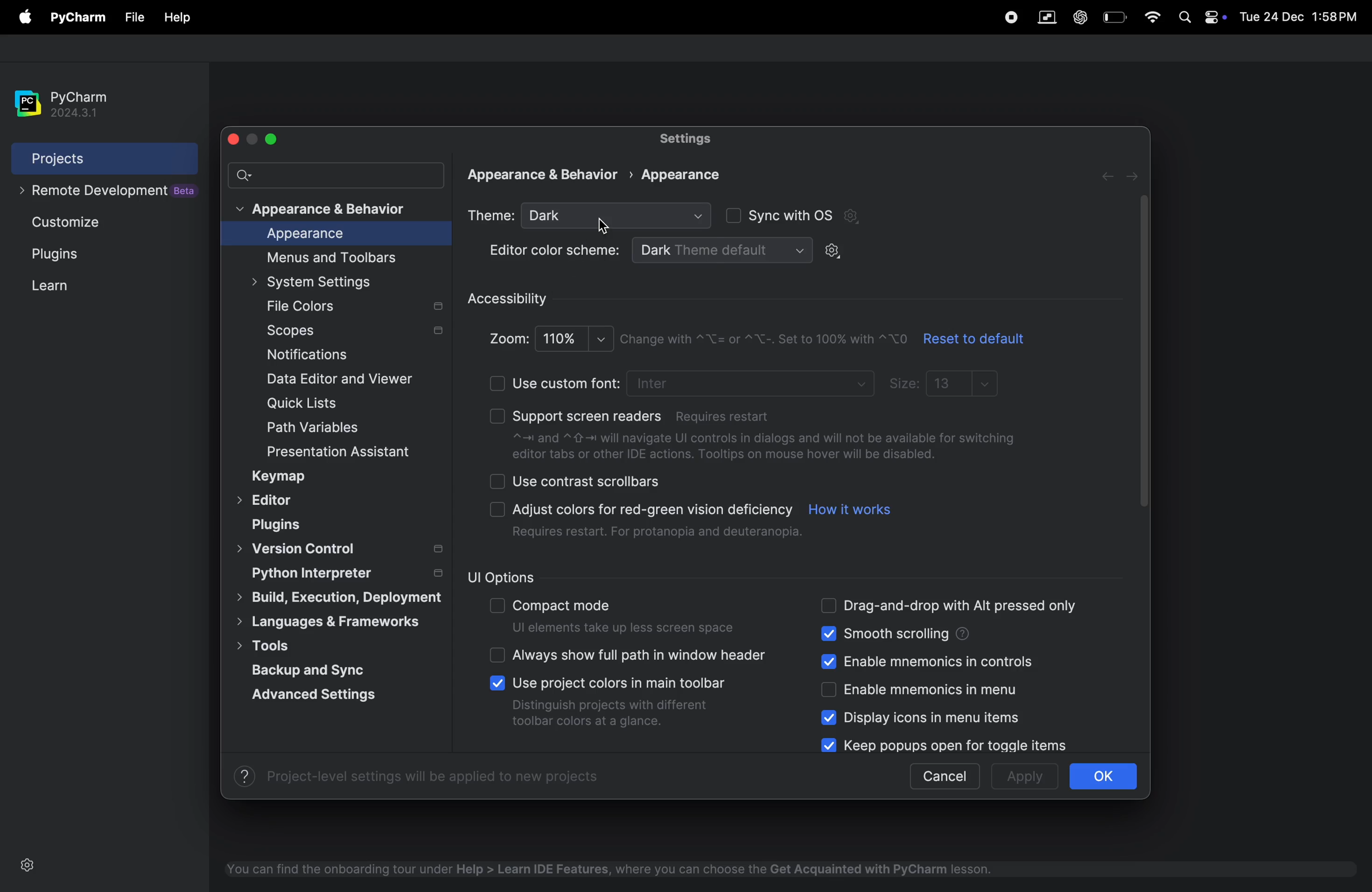 The width and height of the screenshot is (1372, 892). I want to click on wifi, so click(1152, 19).